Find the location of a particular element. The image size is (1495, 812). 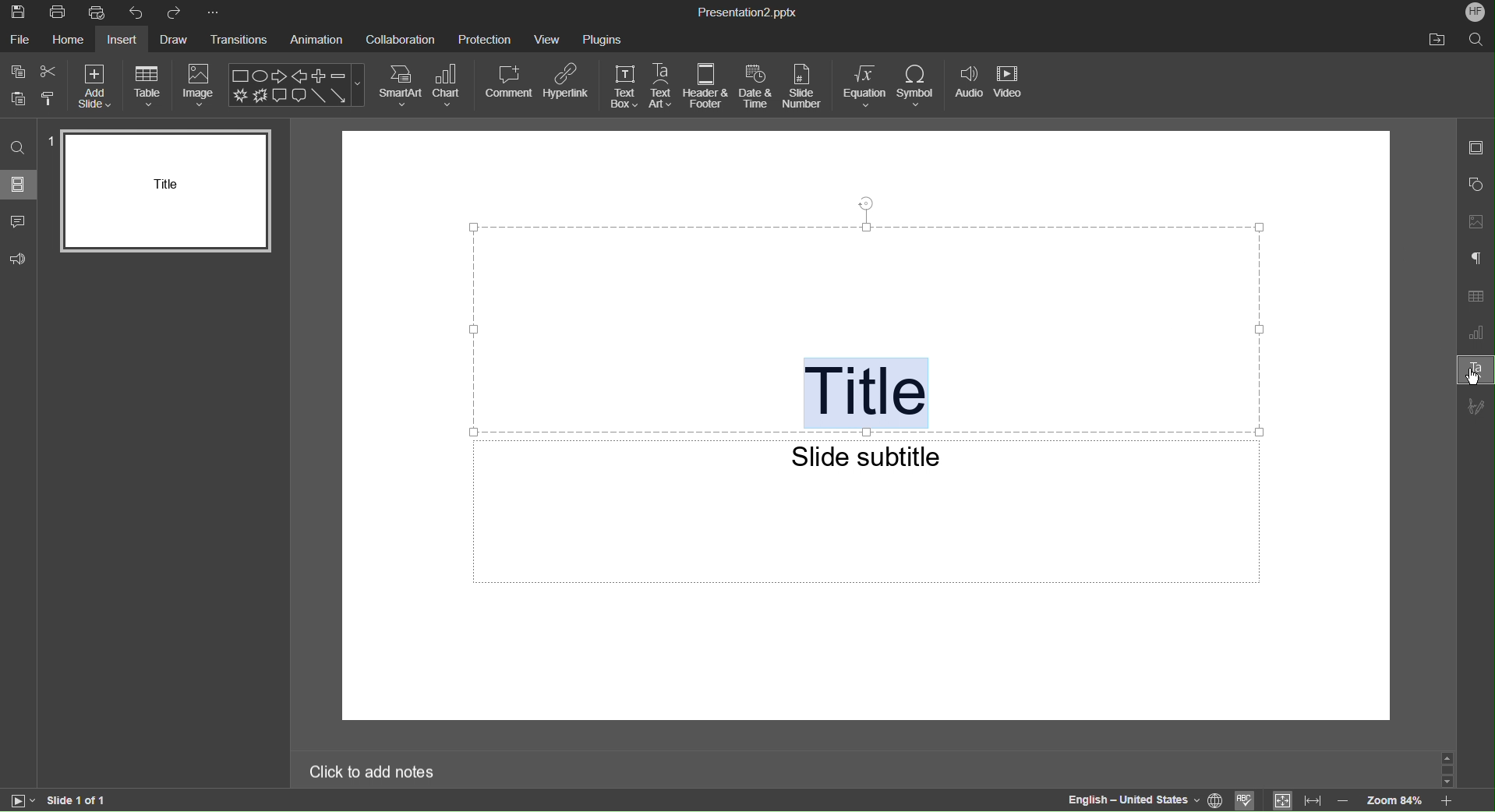

Collaboration is located at coordinates (401, 40).